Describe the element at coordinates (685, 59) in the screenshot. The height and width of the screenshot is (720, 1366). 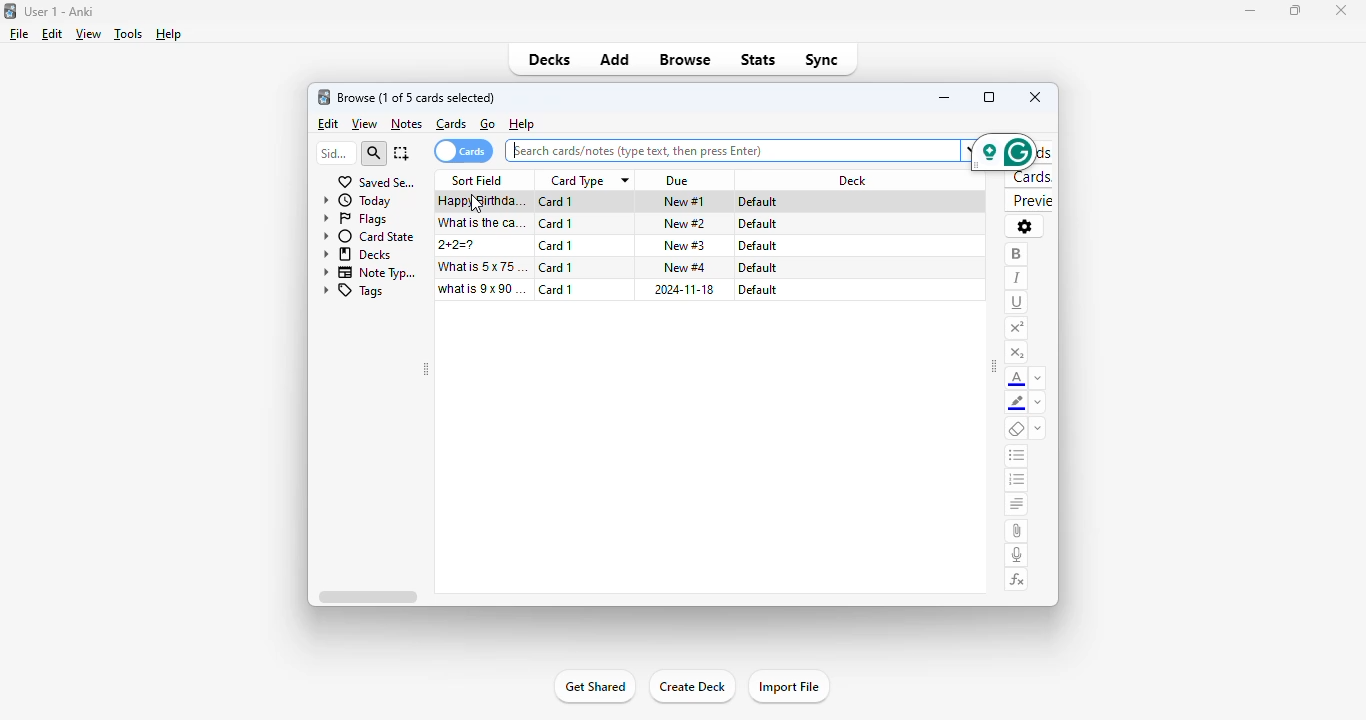
I see `browse` at that location.